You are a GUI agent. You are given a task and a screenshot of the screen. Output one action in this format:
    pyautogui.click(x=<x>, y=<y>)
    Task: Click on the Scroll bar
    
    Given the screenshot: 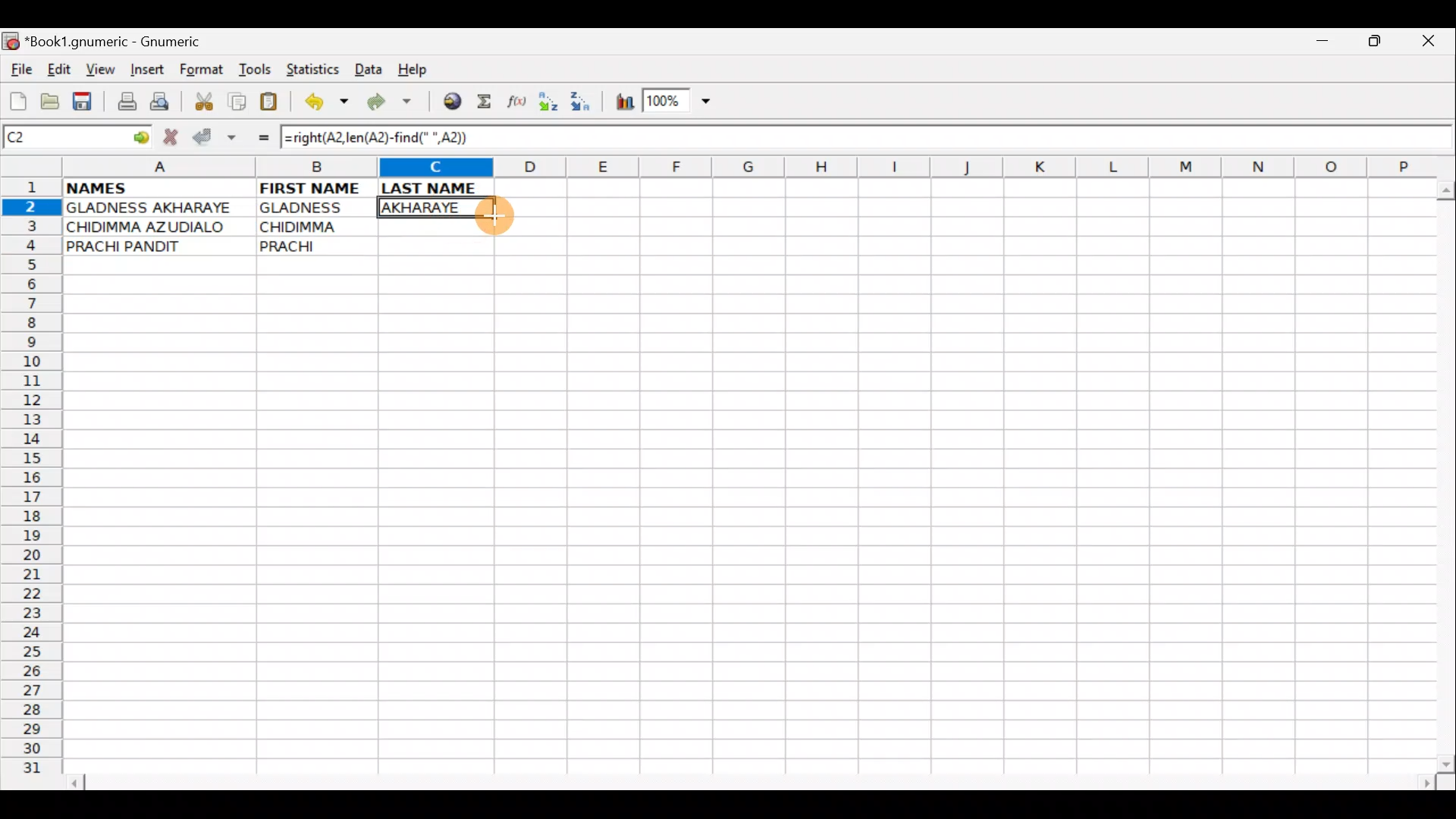 What is the action you would take?
    pyautogui.click(x=1442, y=473)
    